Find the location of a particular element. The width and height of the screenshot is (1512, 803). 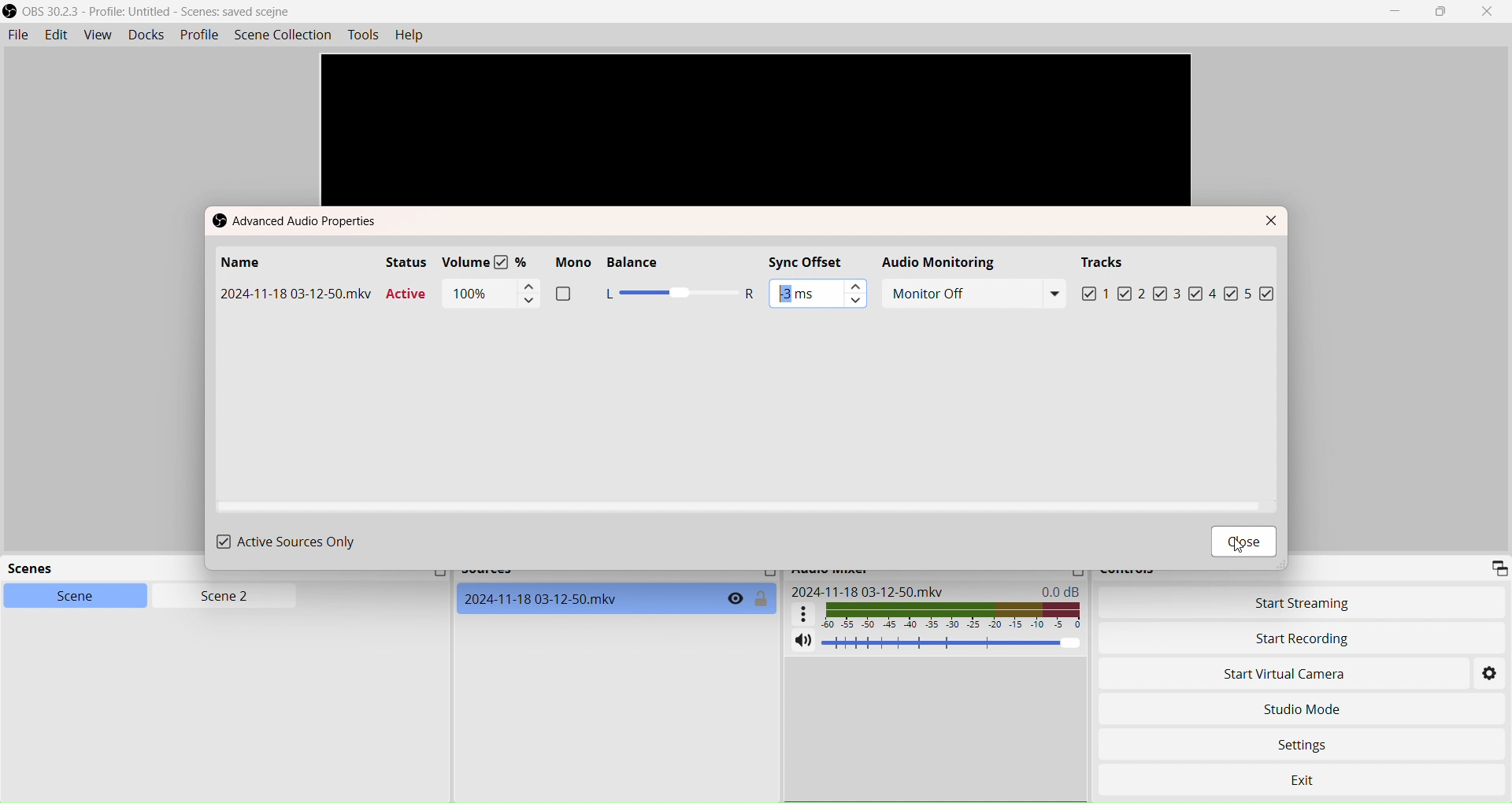

Decrement is located at coordinates (528, 303).